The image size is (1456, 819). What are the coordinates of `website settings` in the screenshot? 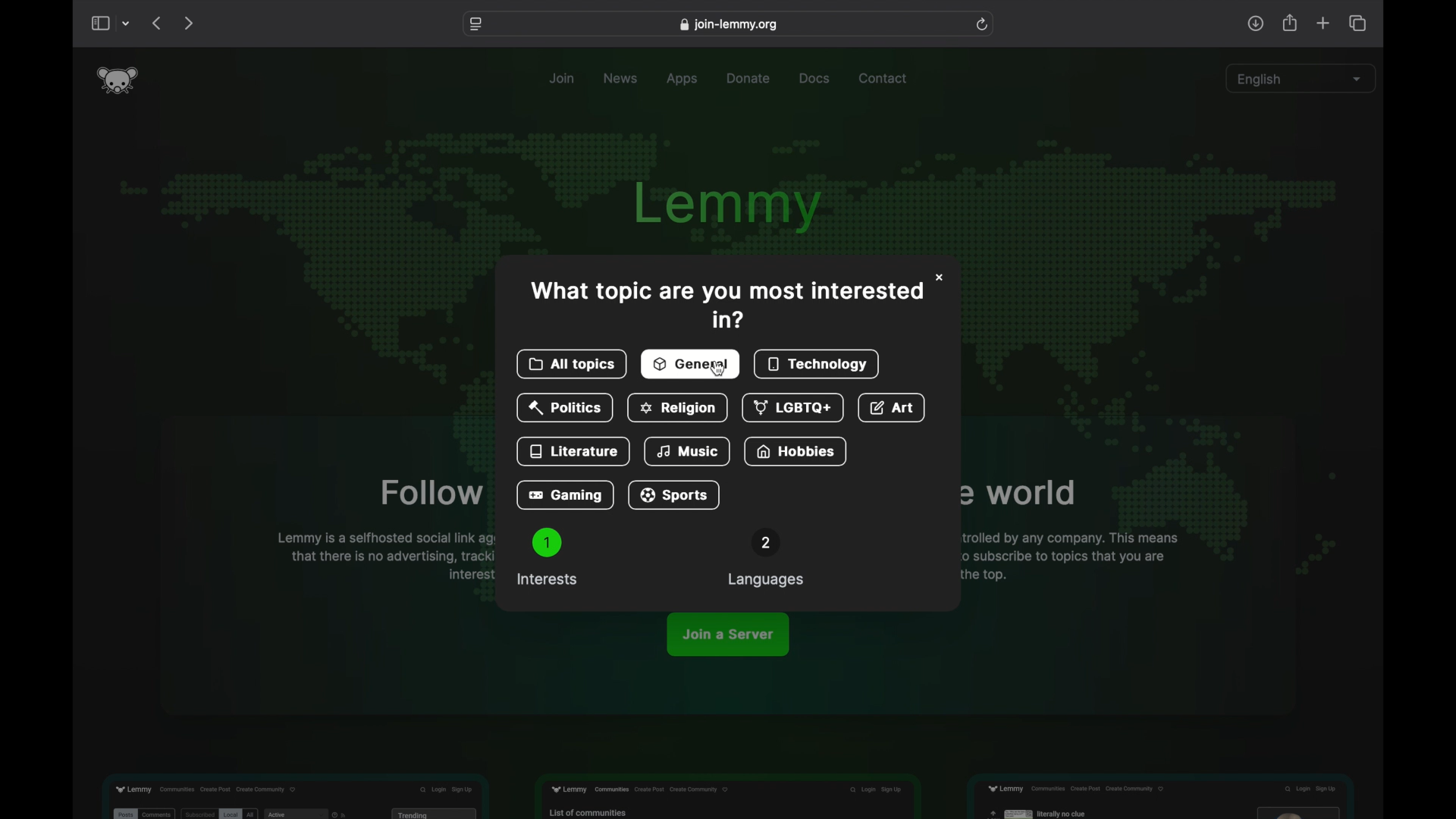 It's located at (477, 24).